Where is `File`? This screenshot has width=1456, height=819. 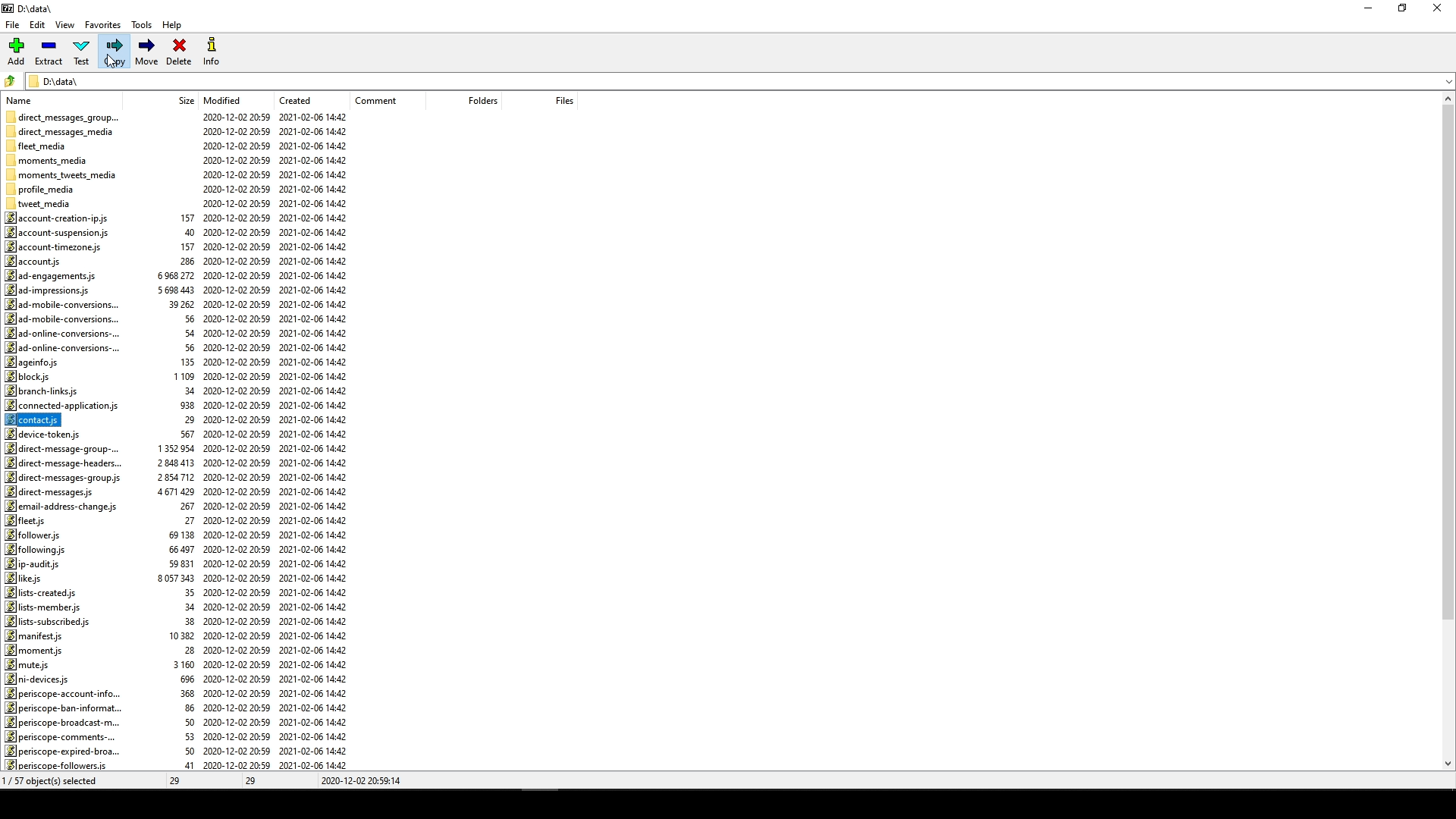 File is located at coordinates (15, 22).